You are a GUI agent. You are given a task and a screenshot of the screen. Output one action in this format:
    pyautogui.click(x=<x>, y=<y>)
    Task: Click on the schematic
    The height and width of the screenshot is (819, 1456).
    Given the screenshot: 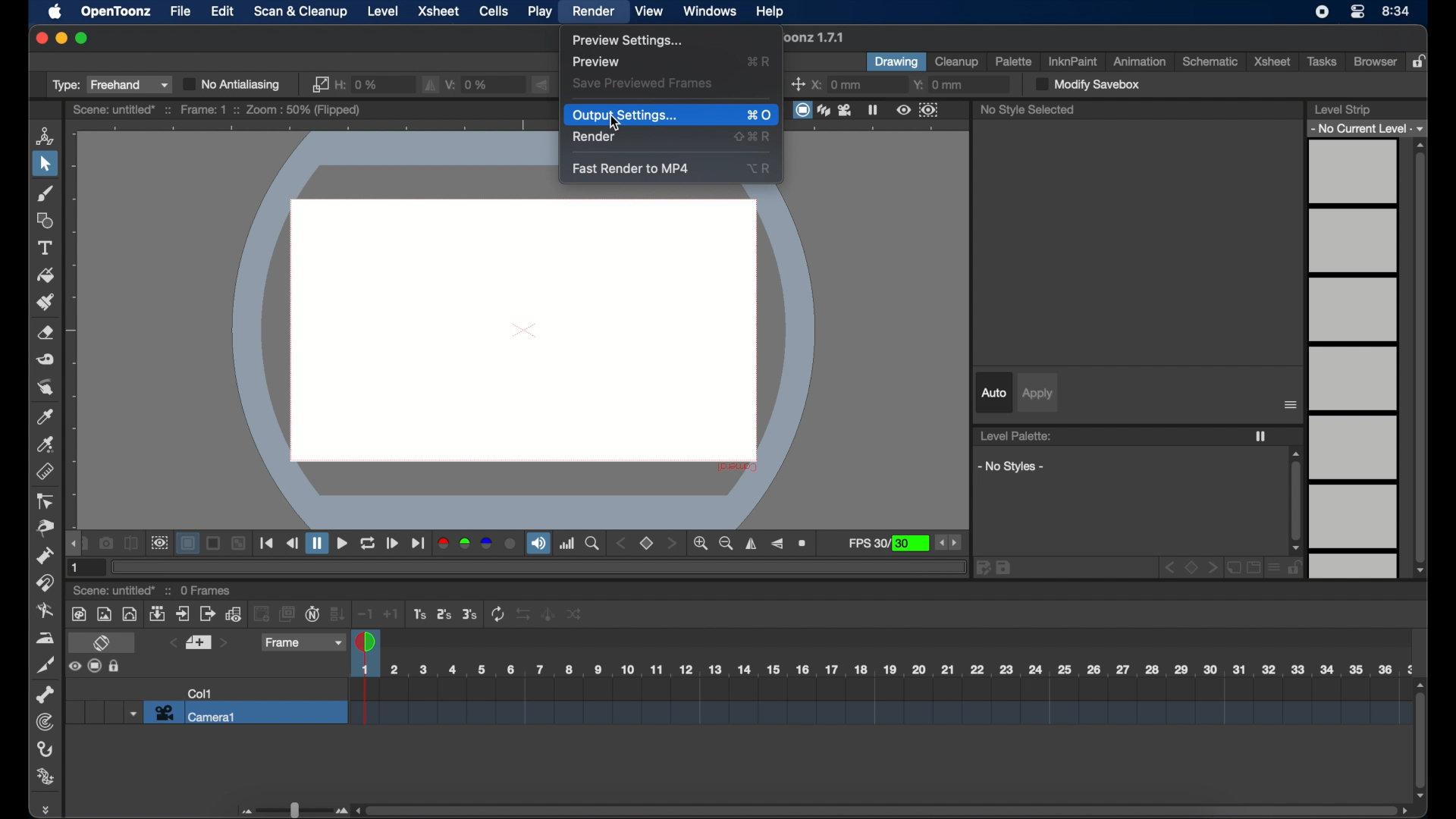 What is the action you would take?
    pyautogui.click(x=1211, y=61)
    